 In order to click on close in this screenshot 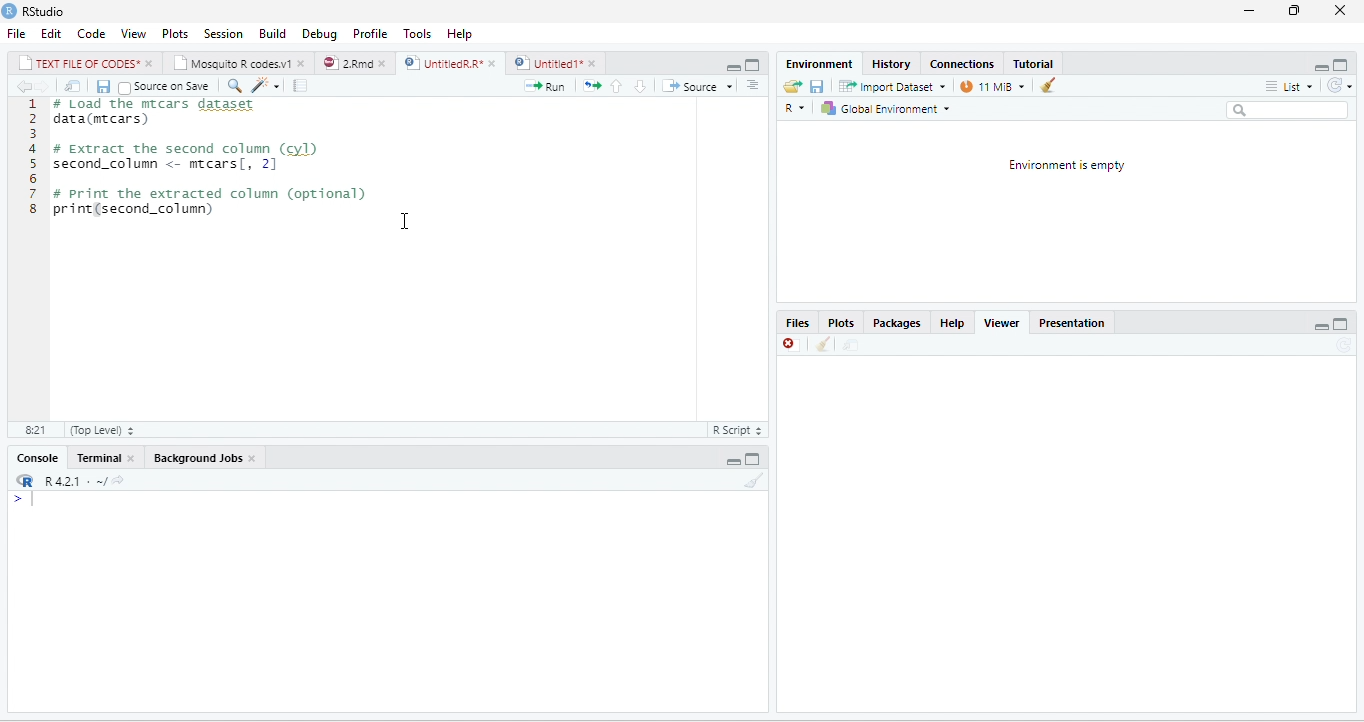, I will do `click(384, 62)`.